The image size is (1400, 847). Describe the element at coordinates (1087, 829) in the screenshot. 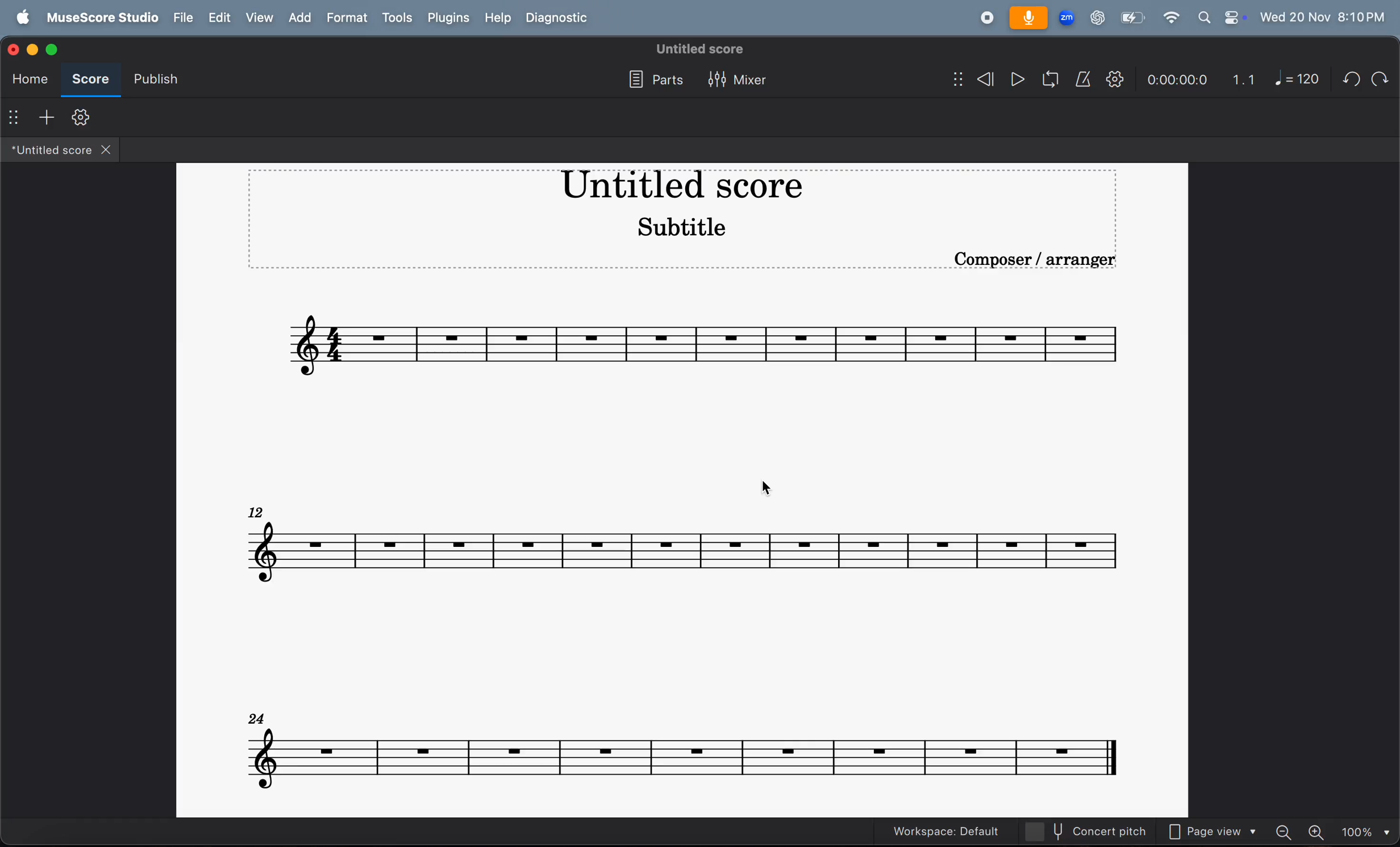

I see `current pitch` at that location.